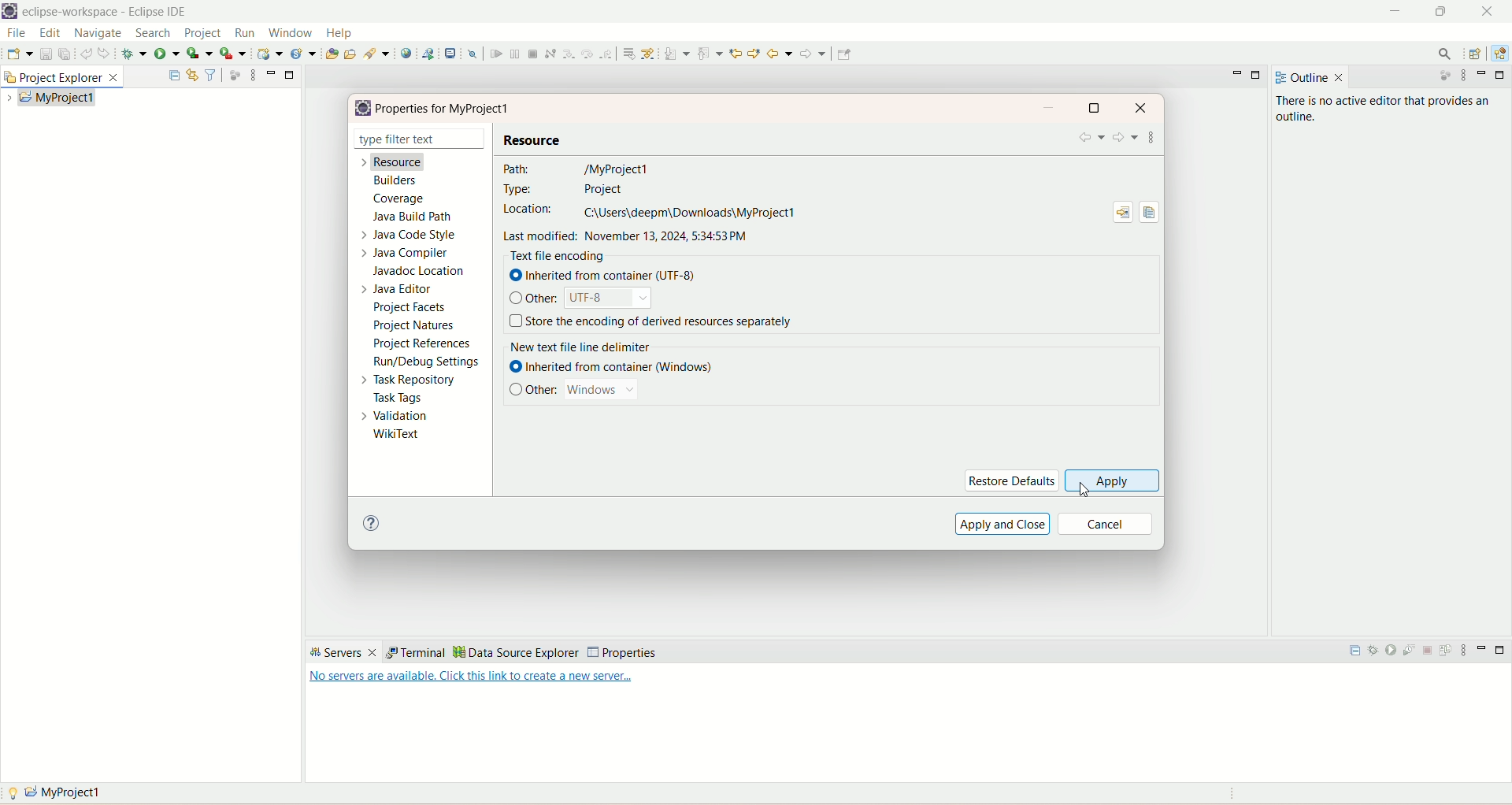 The height and width of the screenshot is (805, 1512). I want to click on store the encoding of derived resource separately, so click(665, 323).